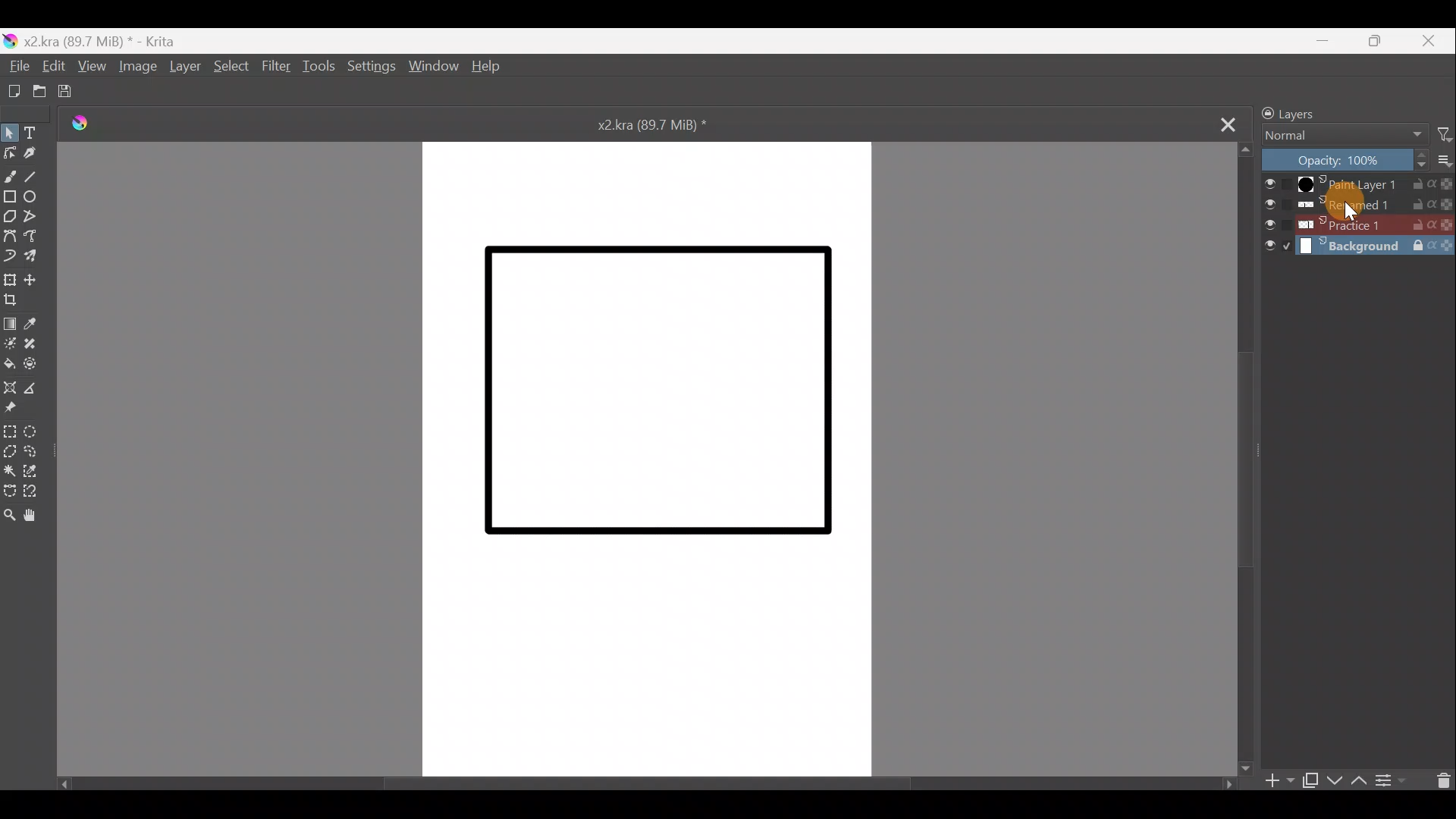 This screenshot has height=819, width=1456. What do you see at coordinates (35, 278) in the screenshot?
I see `Move a layer` at bounding box center [35, 278].